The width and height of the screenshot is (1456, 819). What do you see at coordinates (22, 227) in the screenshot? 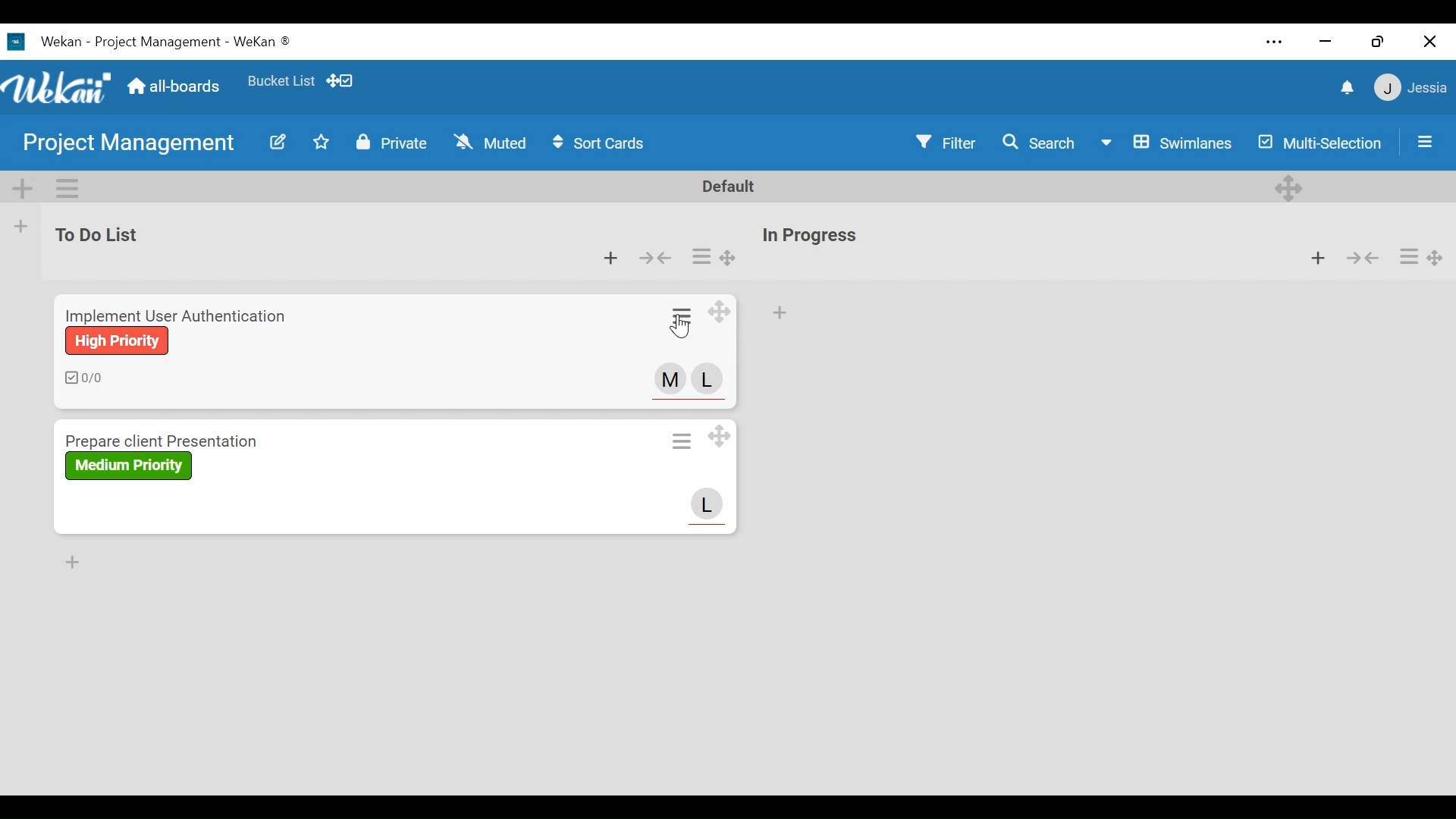
I see `Add list` at bounding box center [22, 227].